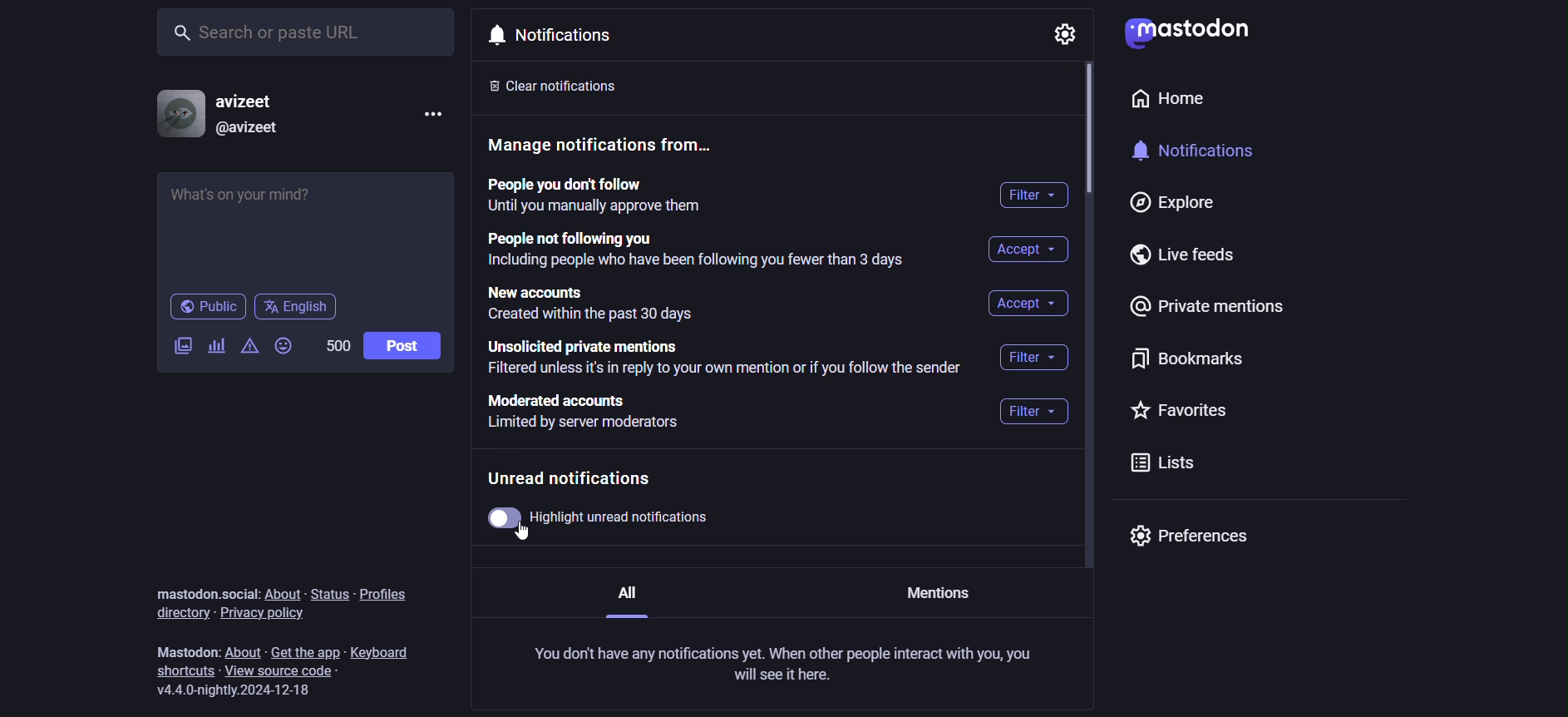 The height and width of the screenshot is (717, 1568). I want to click on clear notification, so click(555, 91).